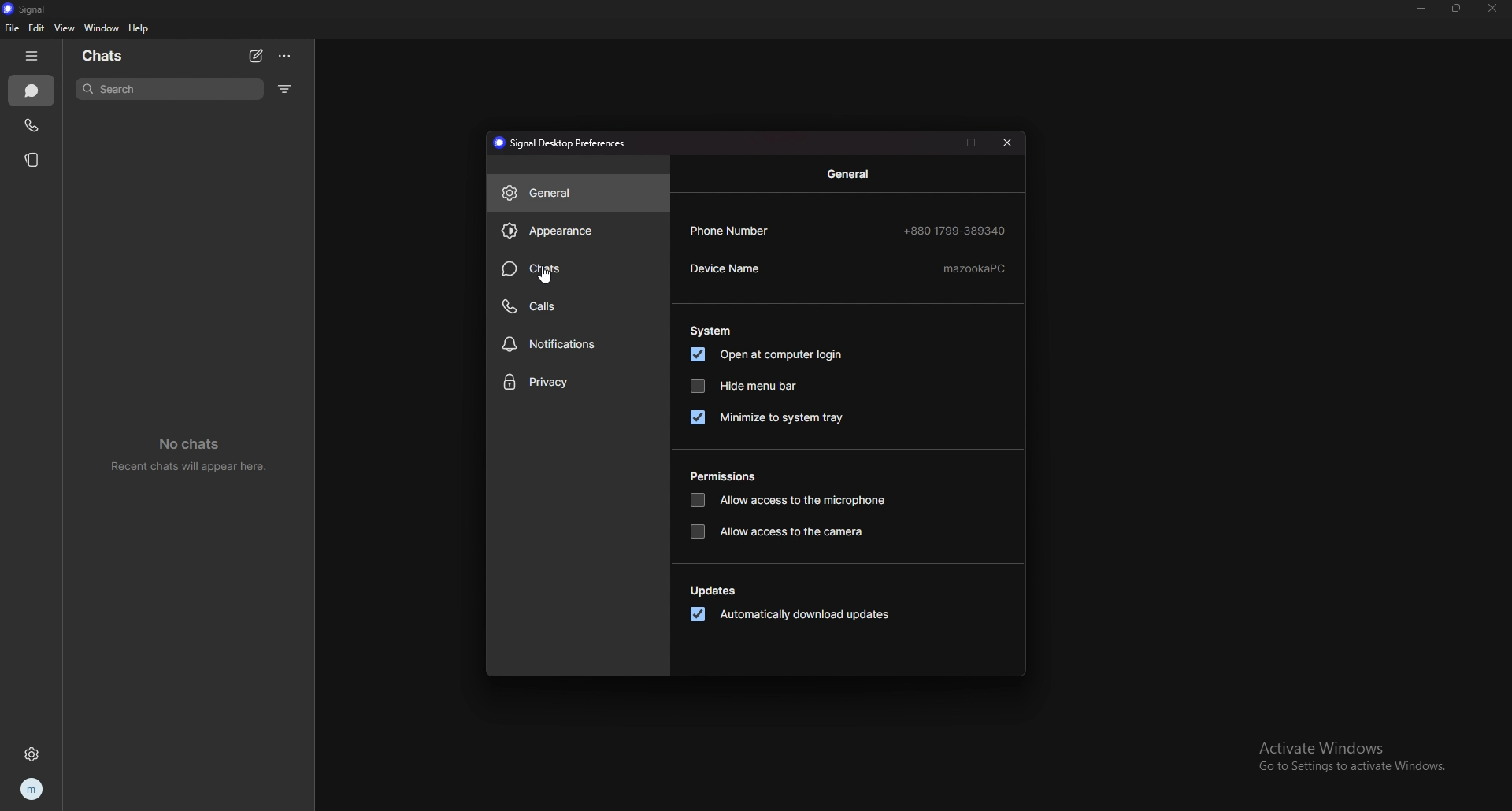 Image resolution: width=1512 pixels, height=811 pixels. What do you see at coordinates (286, 88) in the screenshot?
I see `filter` at bounding box center [286, 88].